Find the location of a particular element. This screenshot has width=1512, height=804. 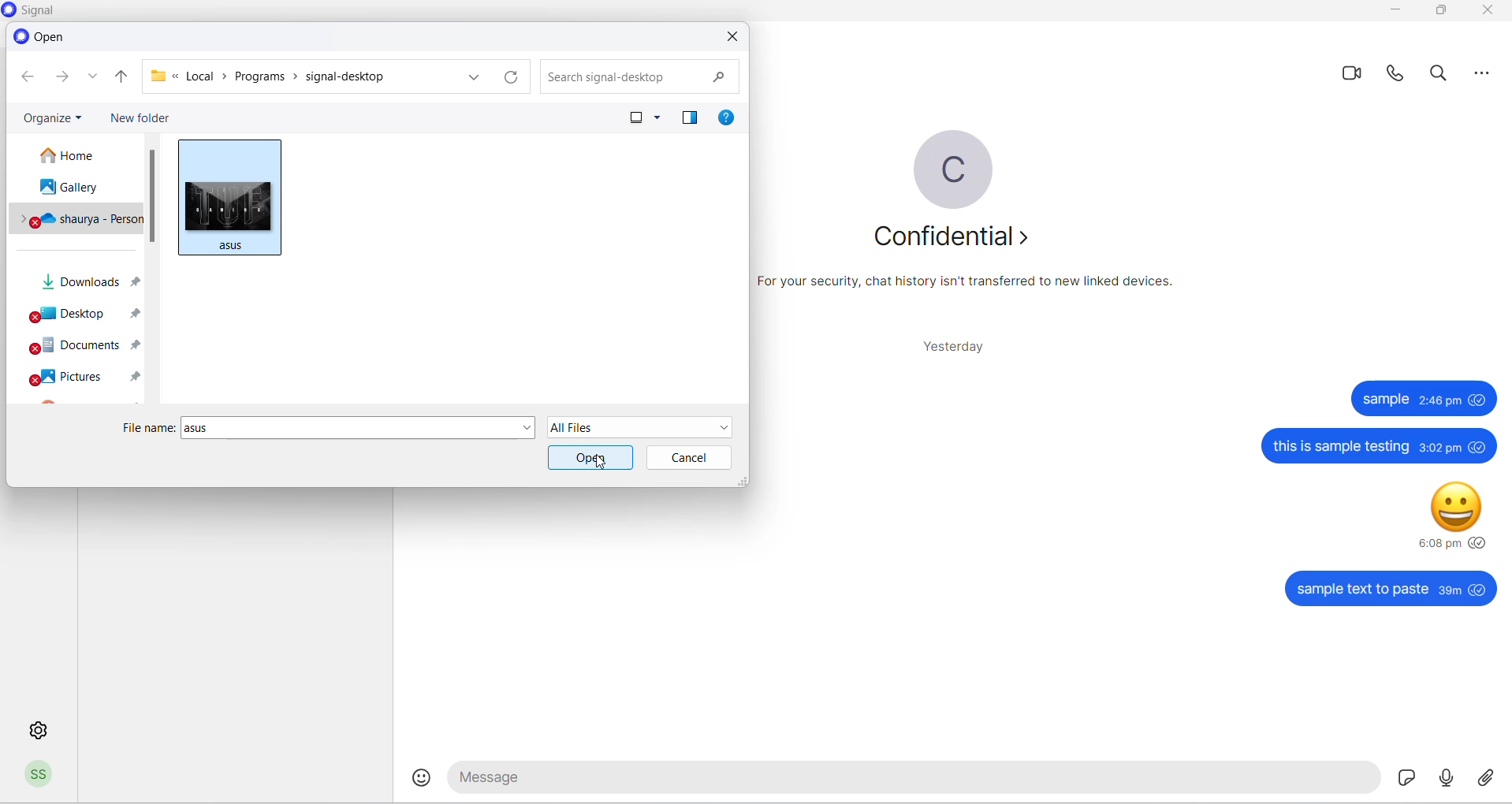

more options is located at coordinates (1483, 78).